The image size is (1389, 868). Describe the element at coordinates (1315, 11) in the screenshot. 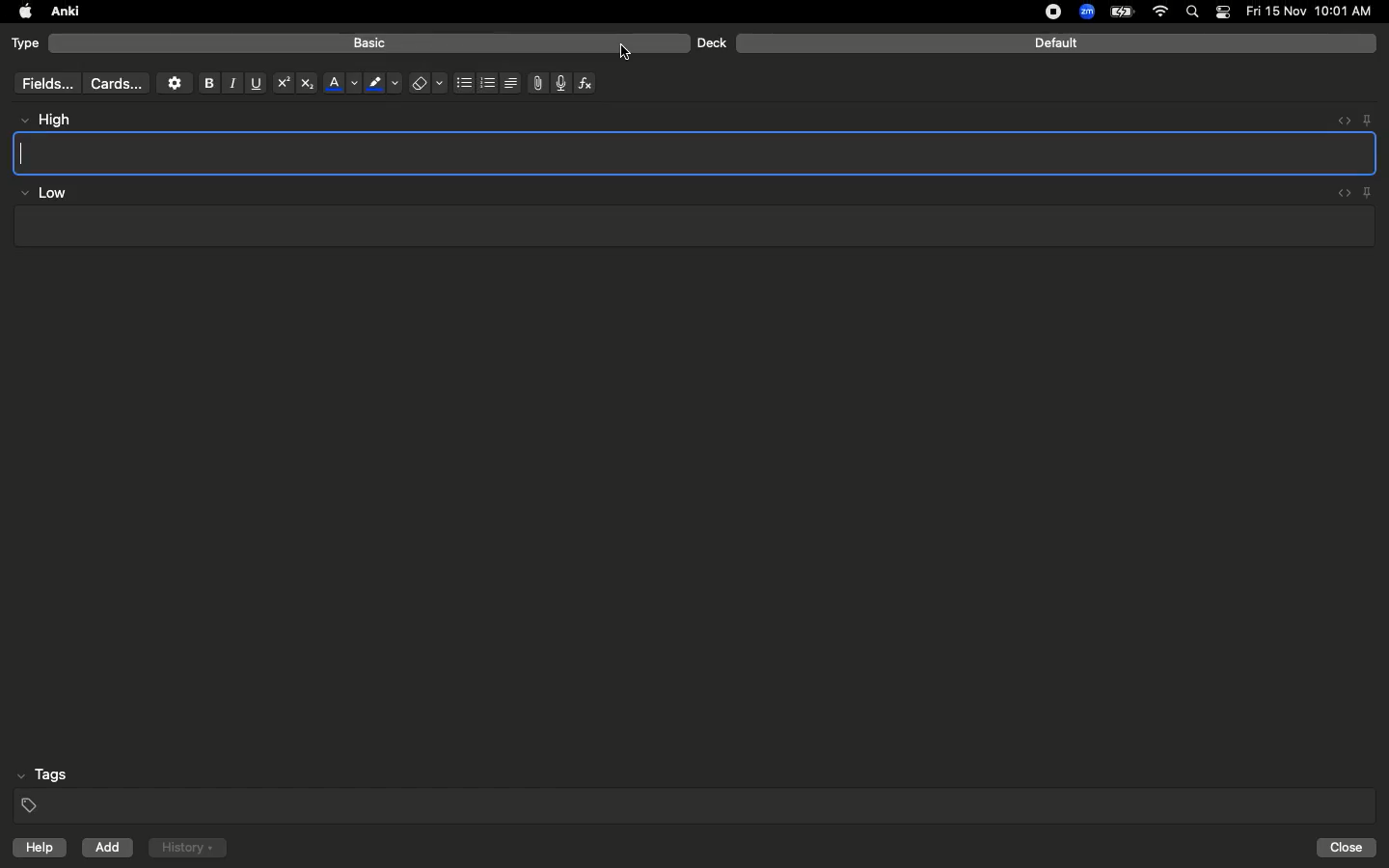

I see `date and time` at that location.